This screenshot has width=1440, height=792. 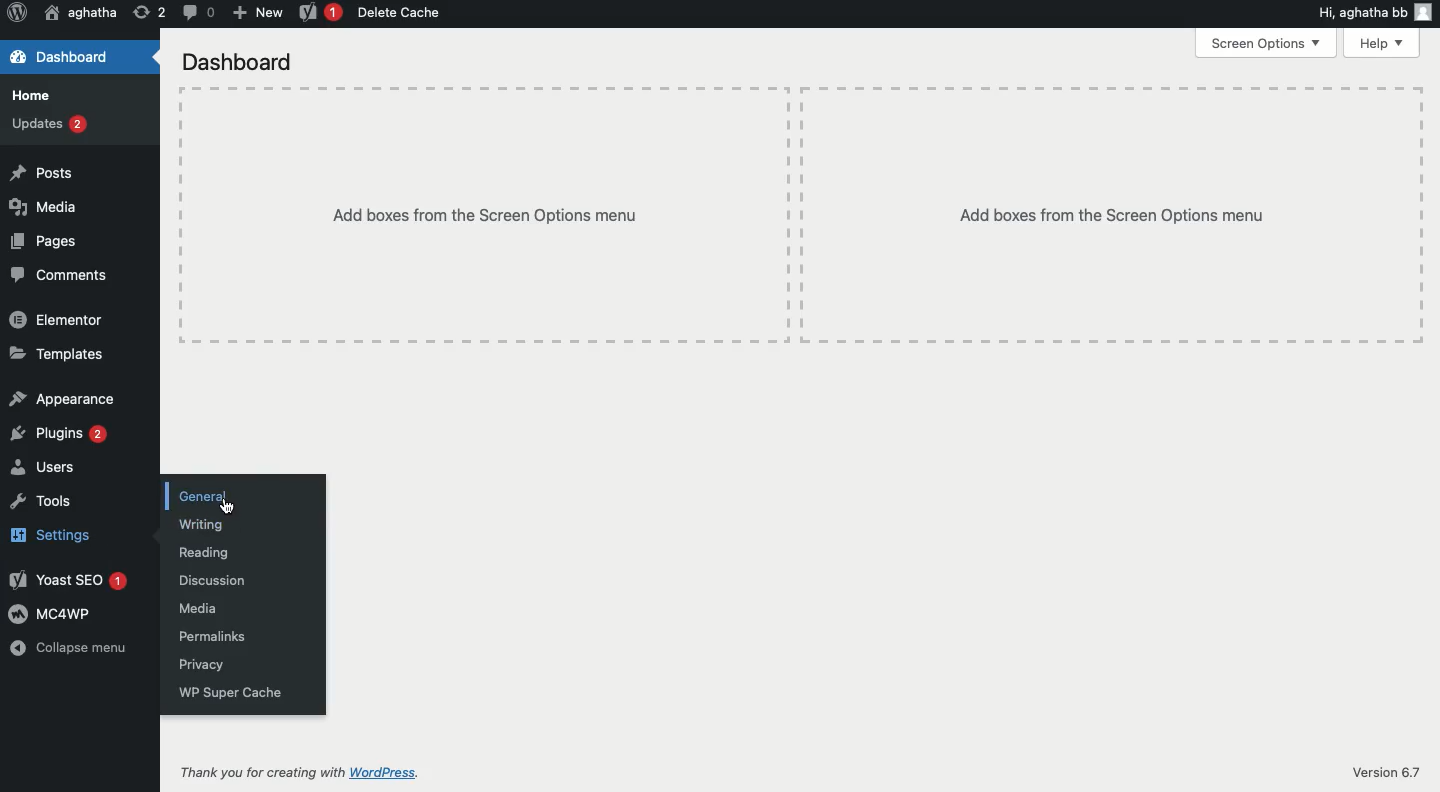 I want to click on Thank vou for creating with, so click(x=263, y=771).